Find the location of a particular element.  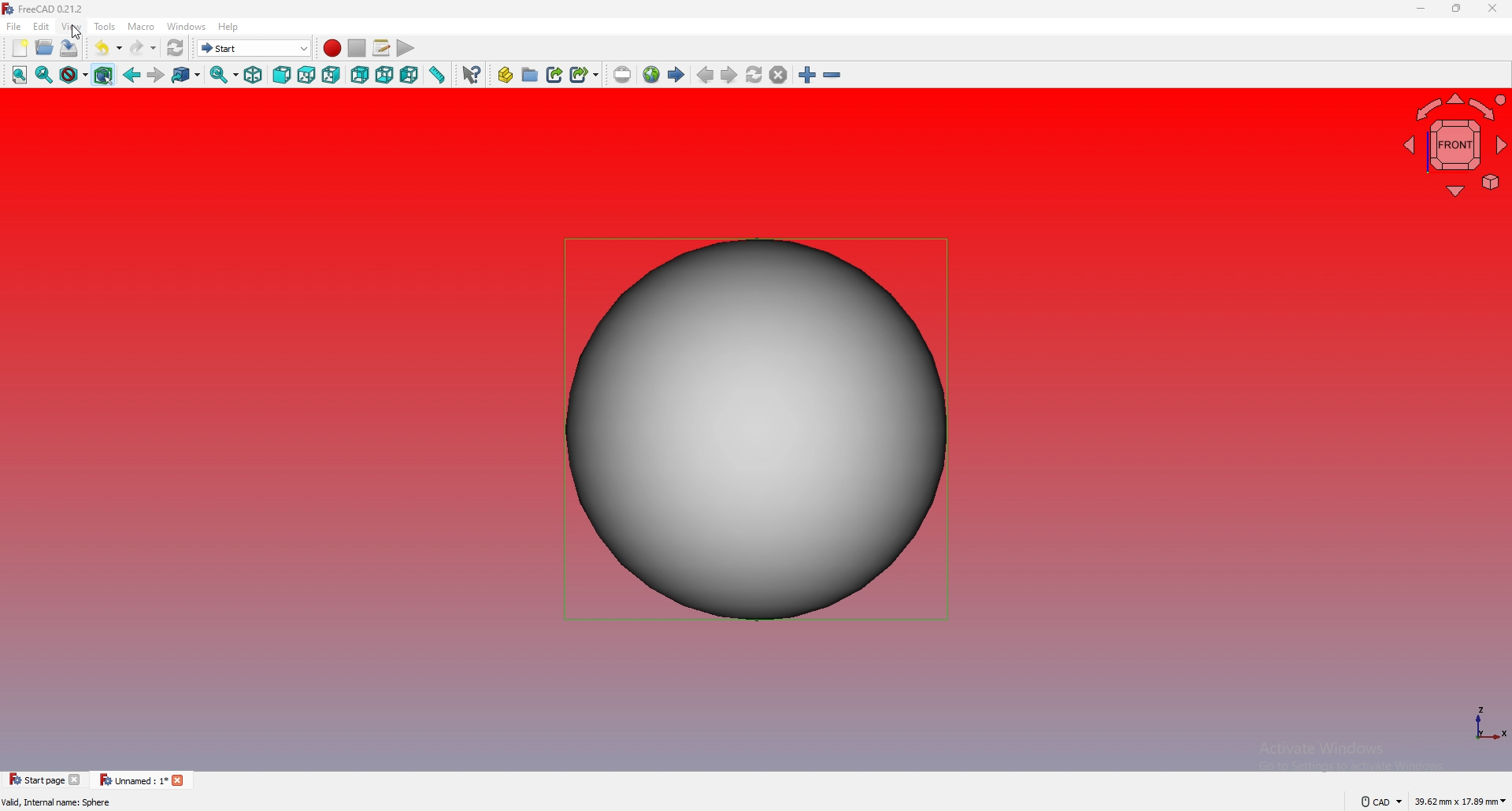

create part is located at coordinates (505, 75).